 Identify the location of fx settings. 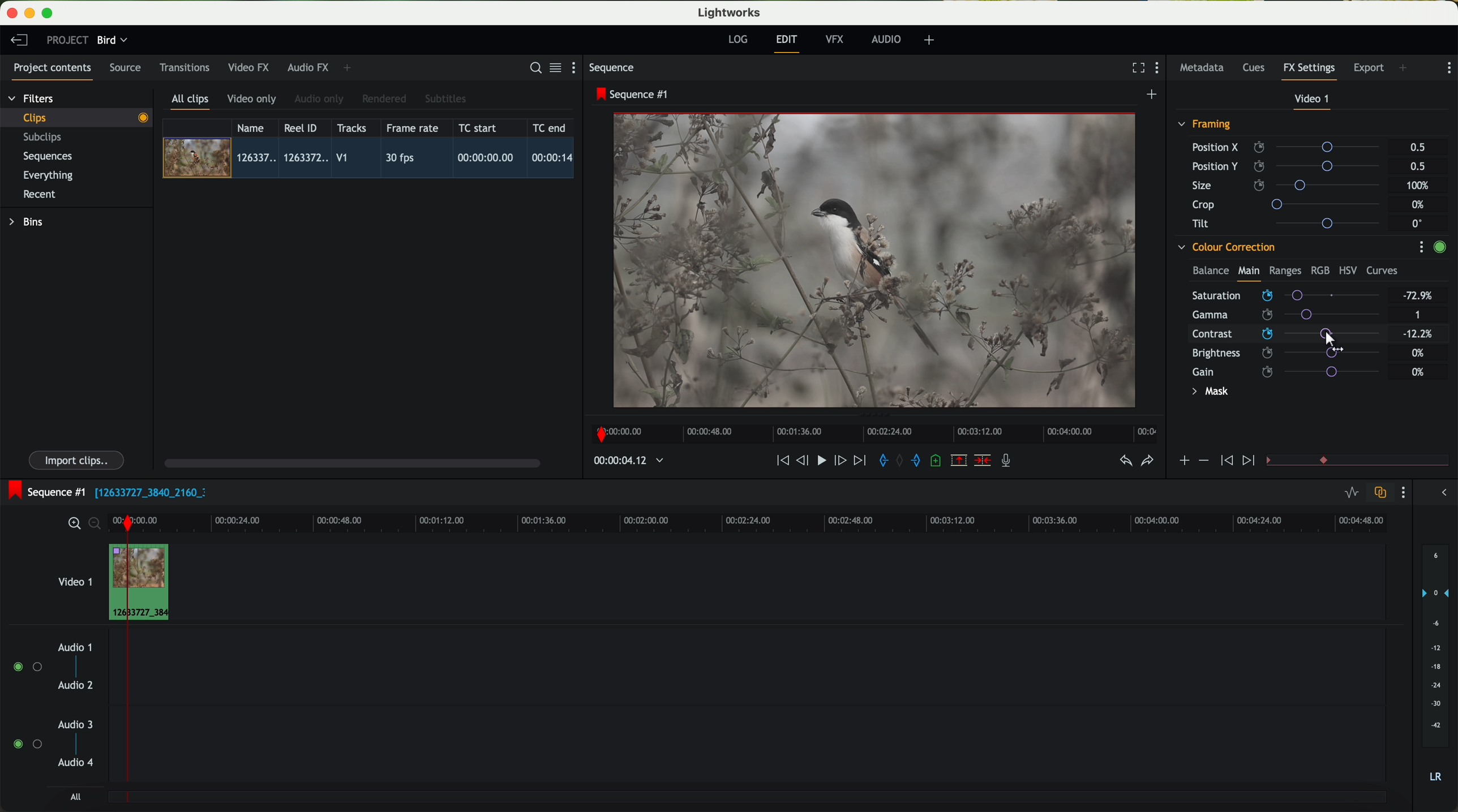
(1309, 71).